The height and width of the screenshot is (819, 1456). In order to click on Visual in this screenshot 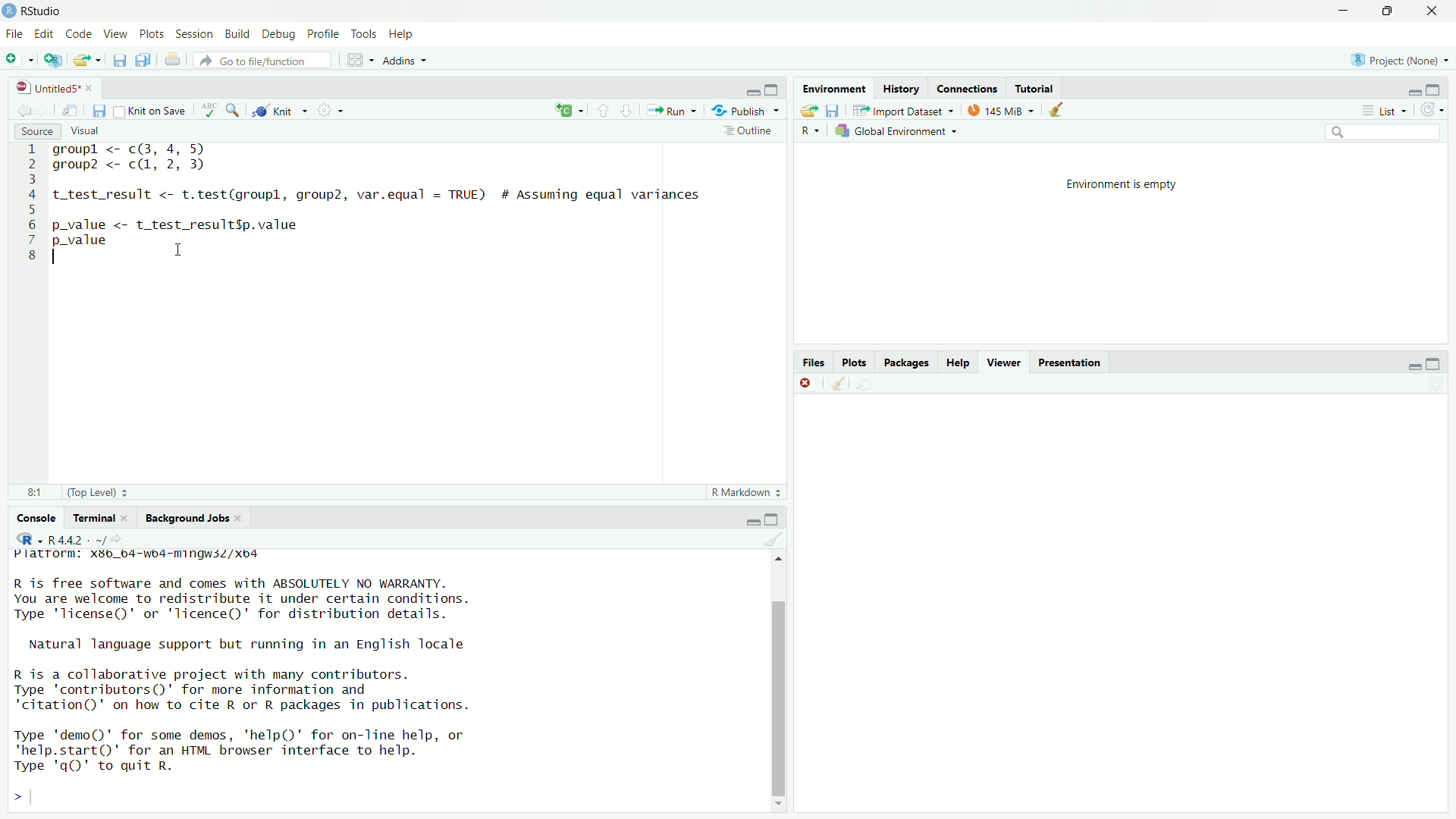, I will do `click(89, 131)`.